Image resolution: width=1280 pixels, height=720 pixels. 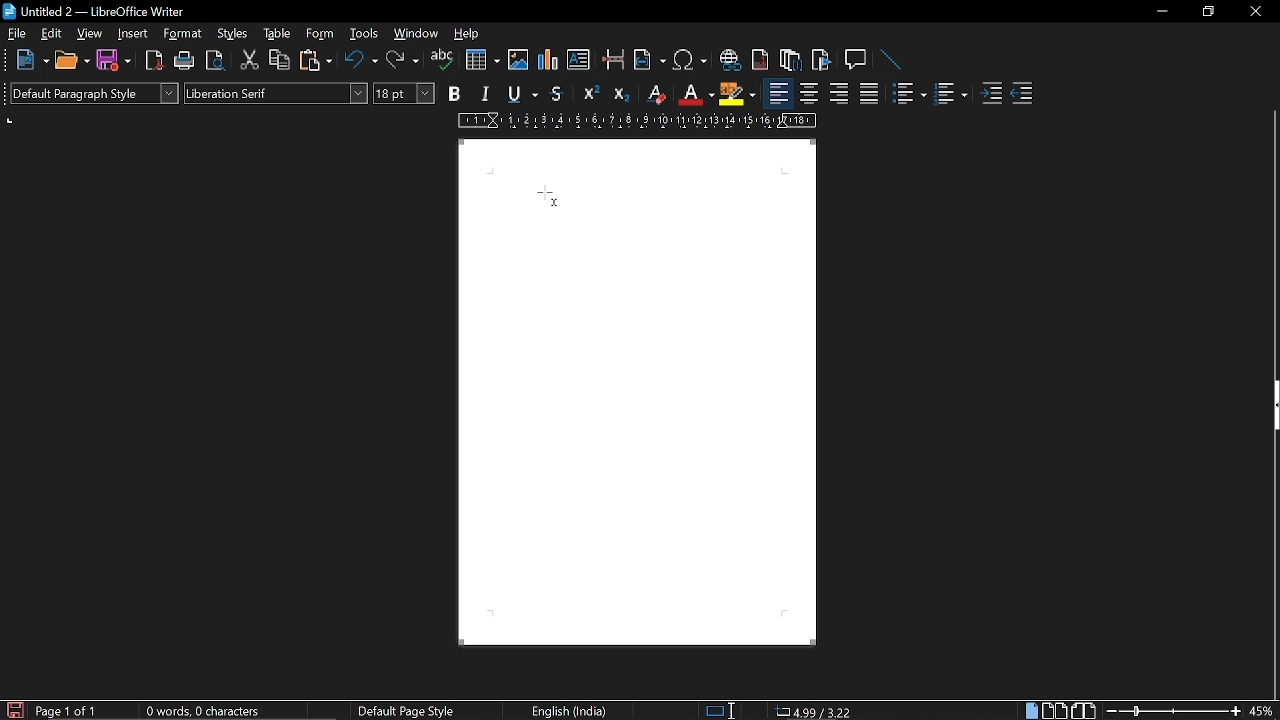 I want to click on insert comment, so click(x=856, y=59).